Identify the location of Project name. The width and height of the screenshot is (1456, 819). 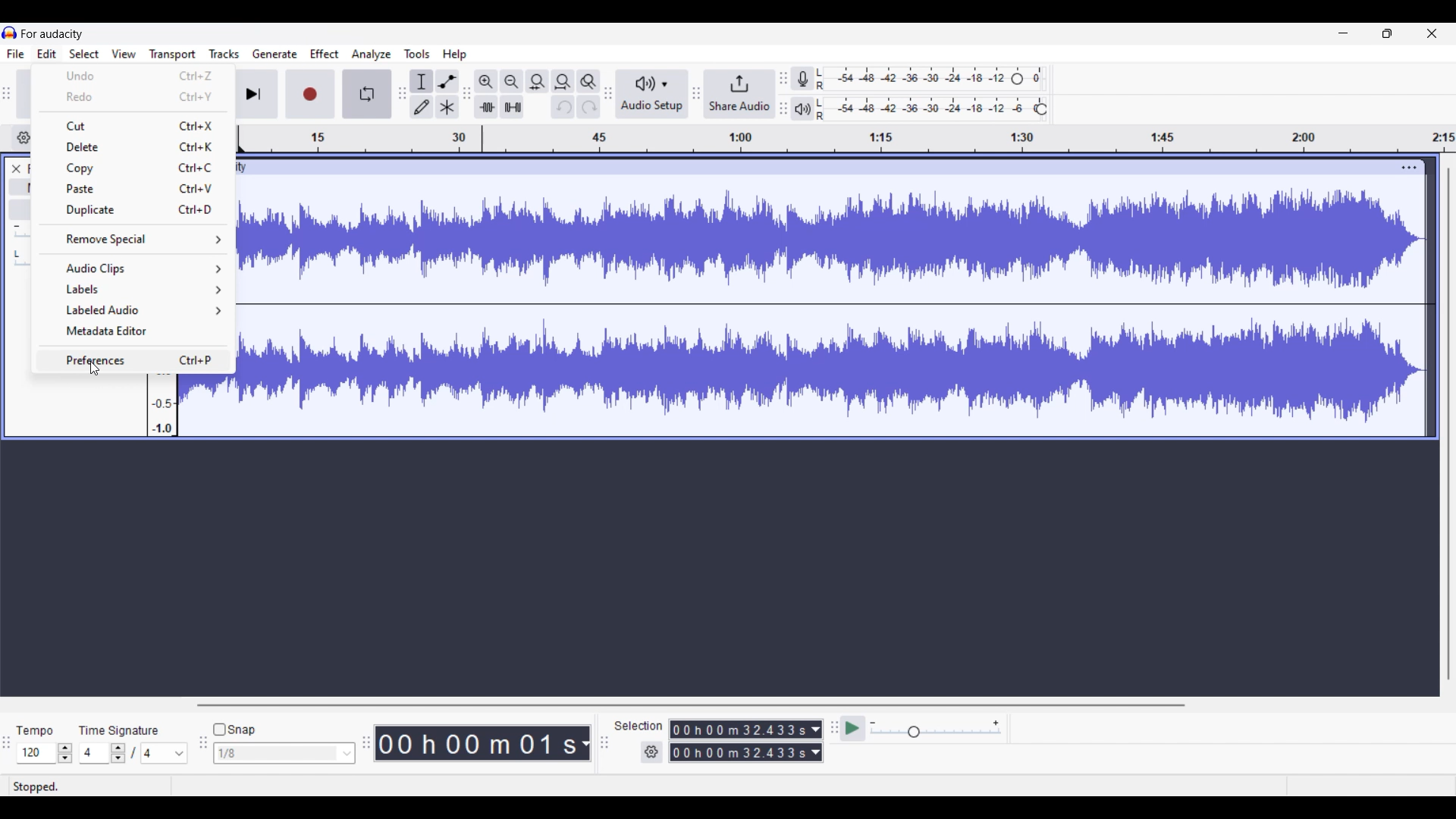
(52, 33).